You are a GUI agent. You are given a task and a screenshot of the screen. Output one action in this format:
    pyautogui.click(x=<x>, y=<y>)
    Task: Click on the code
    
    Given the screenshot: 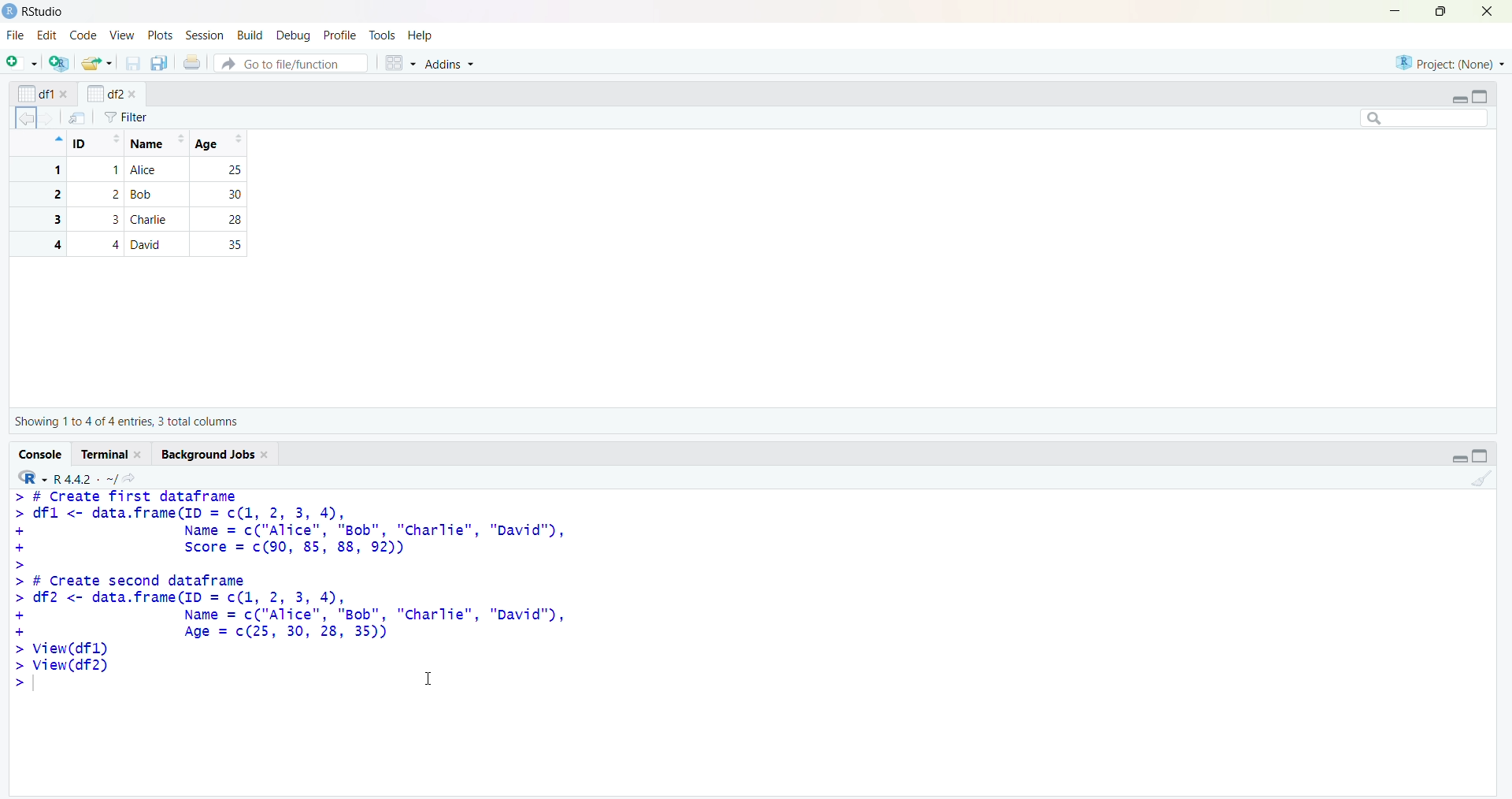 What is the action you would take?
    pyautogui.click(x=84, y=35)
    